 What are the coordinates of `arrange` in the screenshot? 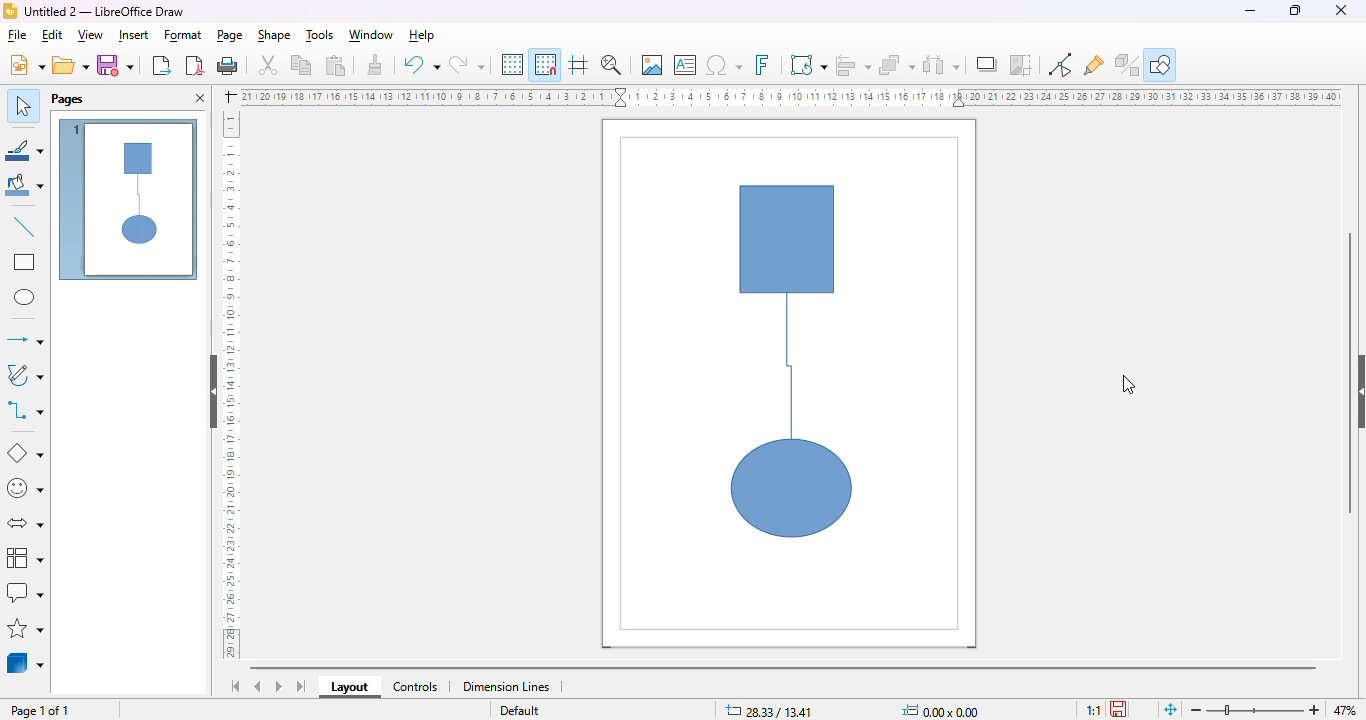 It's located at (897, 65).